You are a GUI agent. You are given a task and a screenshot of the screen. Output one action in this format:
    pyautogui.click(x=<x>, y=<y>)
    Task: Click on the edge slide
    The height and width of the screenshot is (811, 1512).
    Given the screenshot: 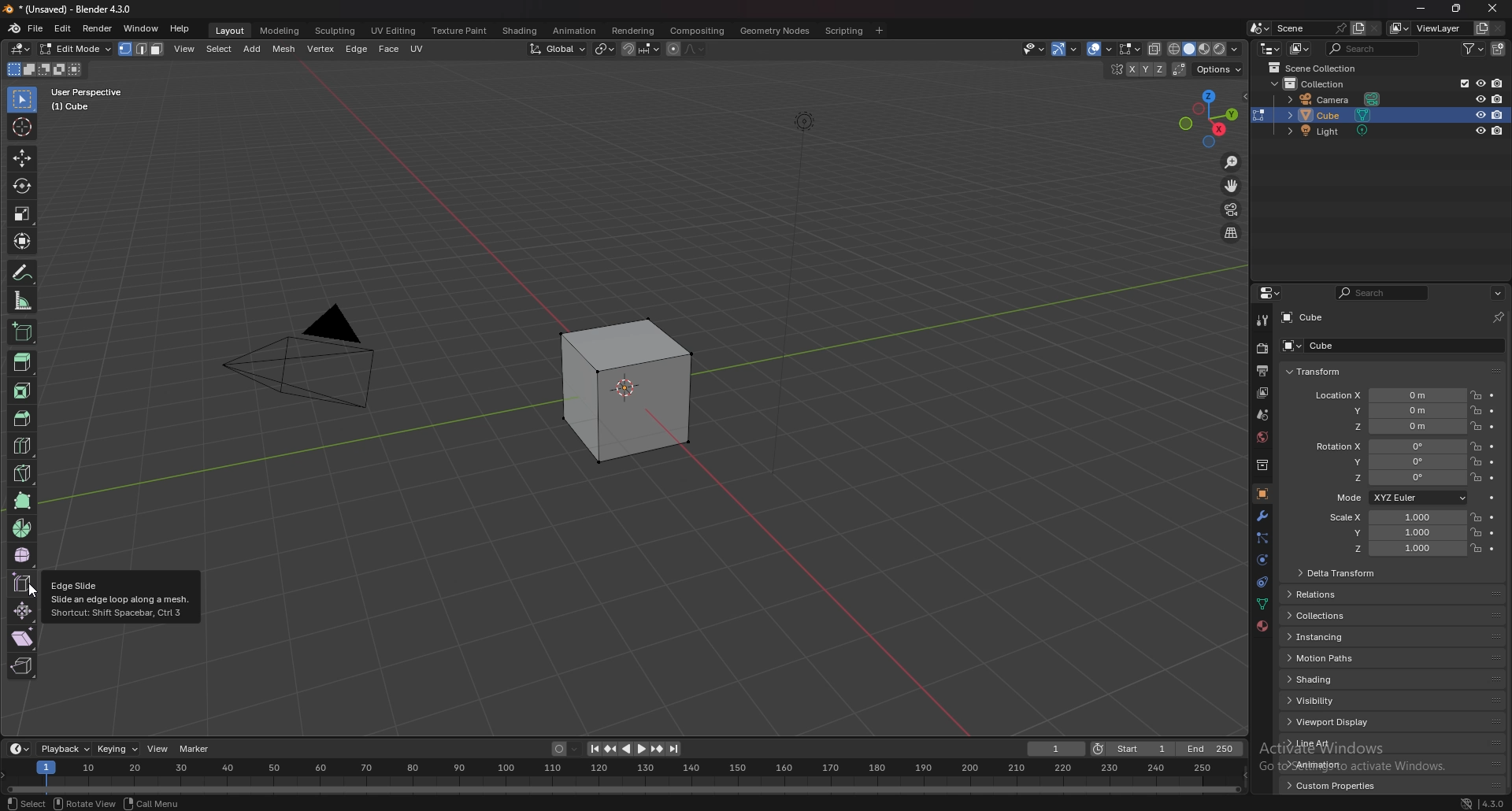 What is the action you would take?
    pyautogui.click(x=23, y=581)
    